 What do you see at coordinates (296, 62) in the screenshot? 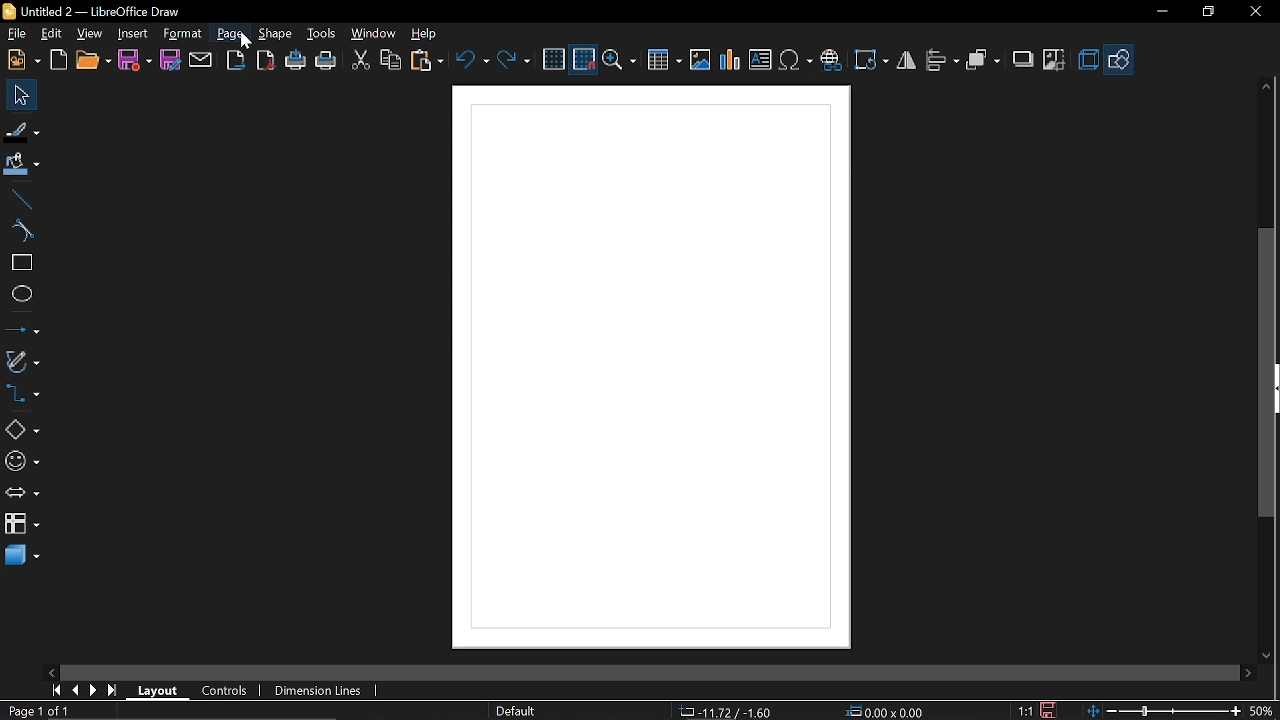
I see `Print directly` at bounding box center [296, 62].